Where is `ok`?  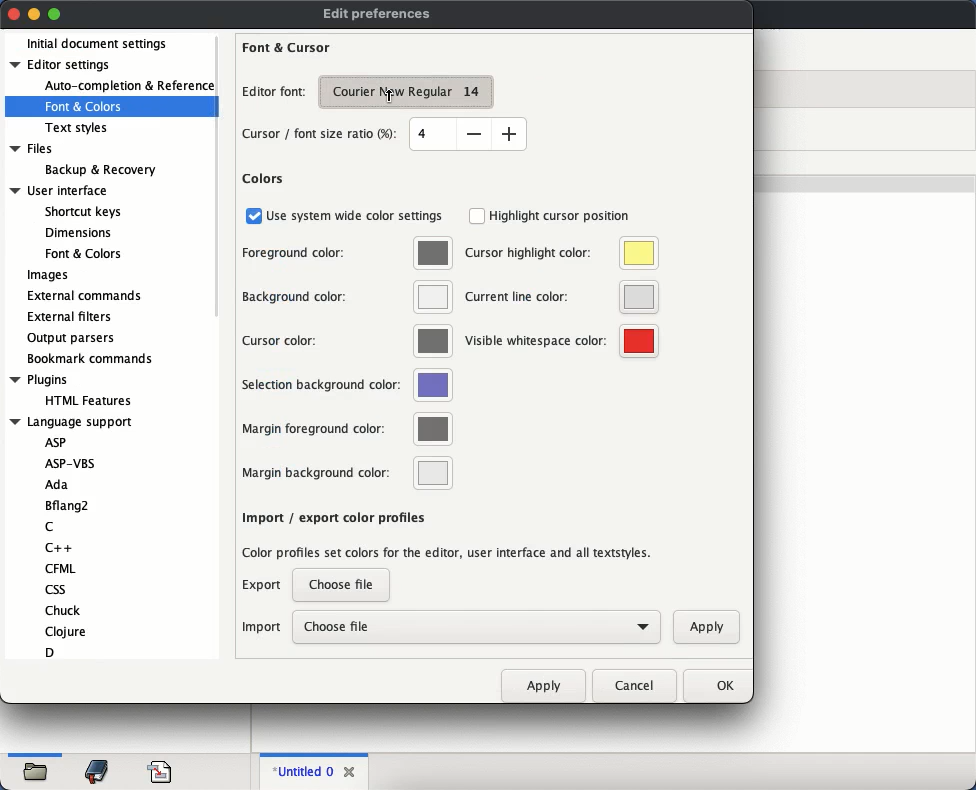 ok is located at coordinates (715, 686).